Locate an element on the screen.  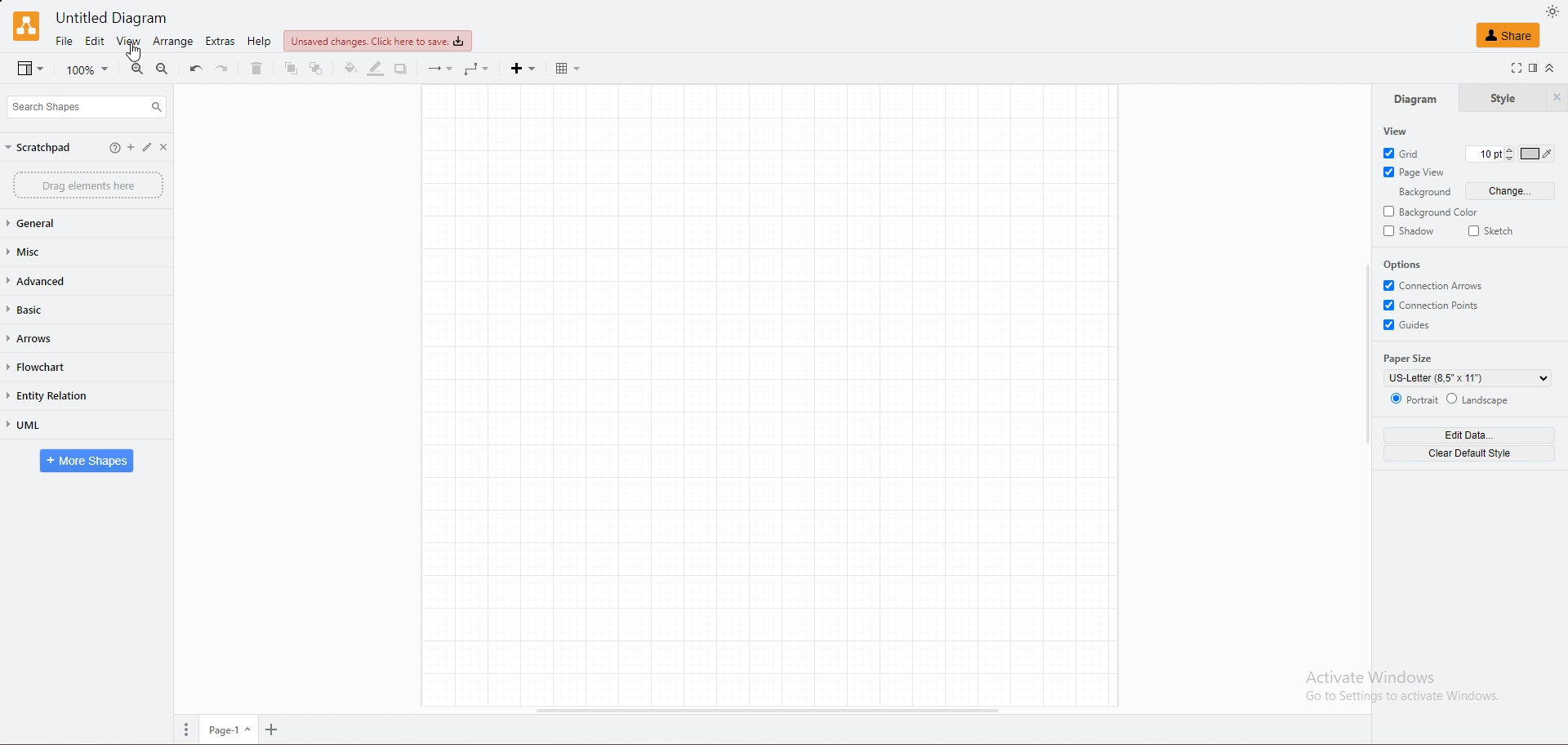
sketch is located at coordinates (1491, 230).